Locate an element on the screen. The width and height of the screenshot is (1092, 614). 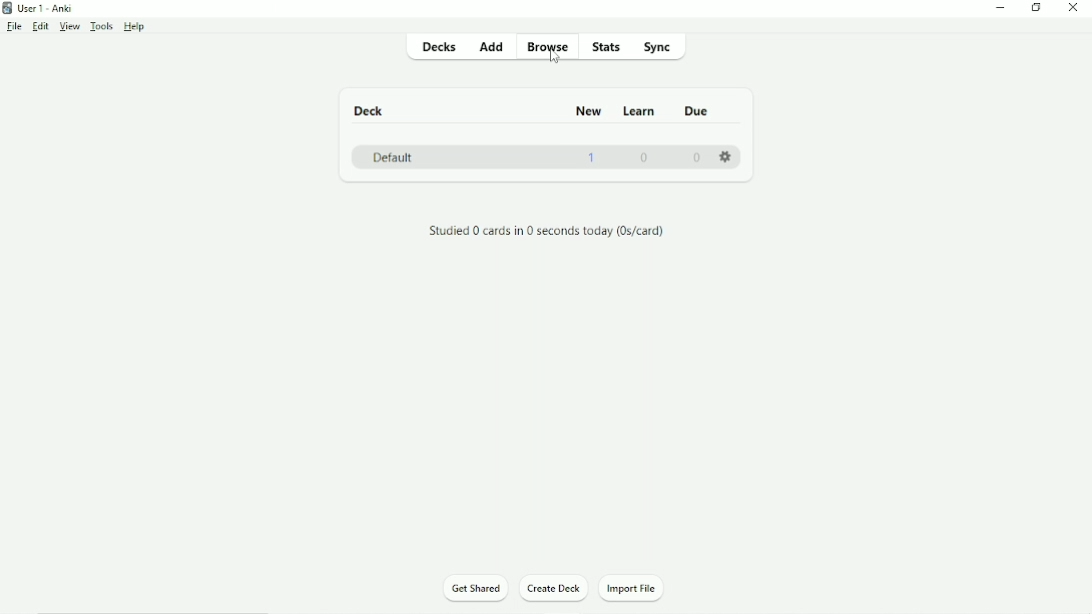
Import File is located at coordinates (634, 588).